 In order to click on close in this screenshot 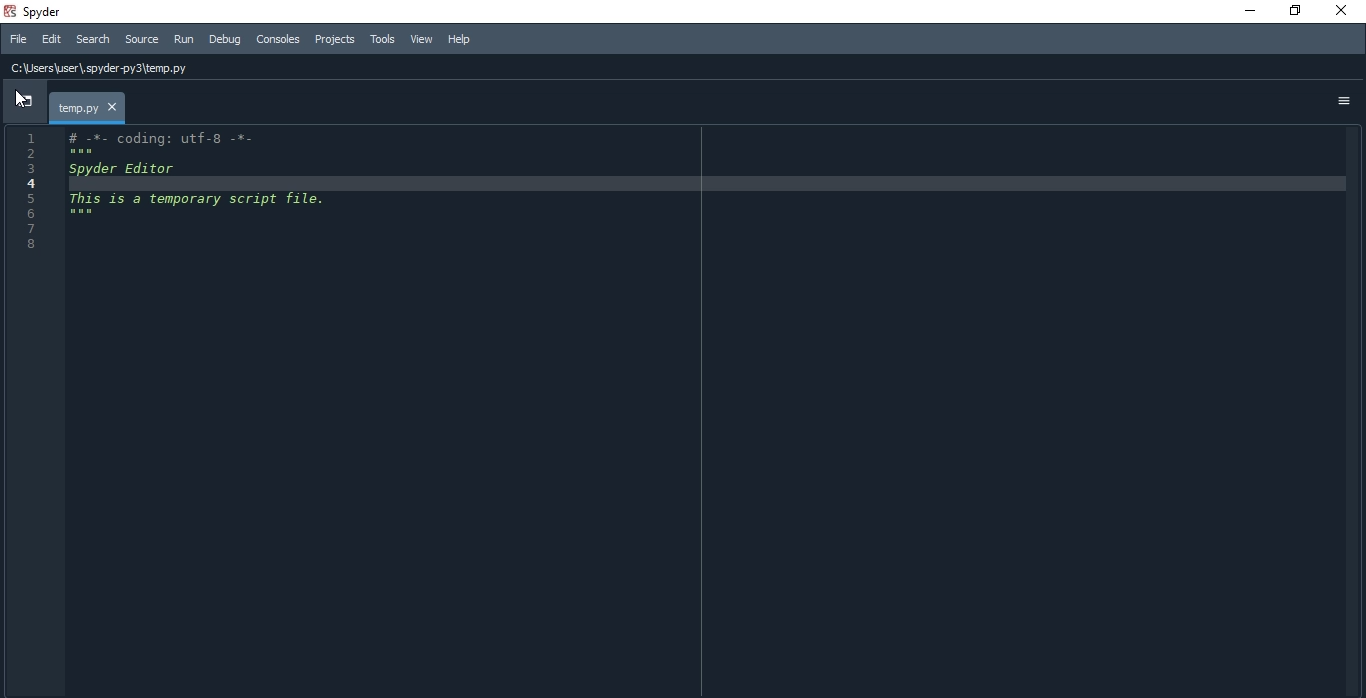, I will do `click(1343, 9)`.